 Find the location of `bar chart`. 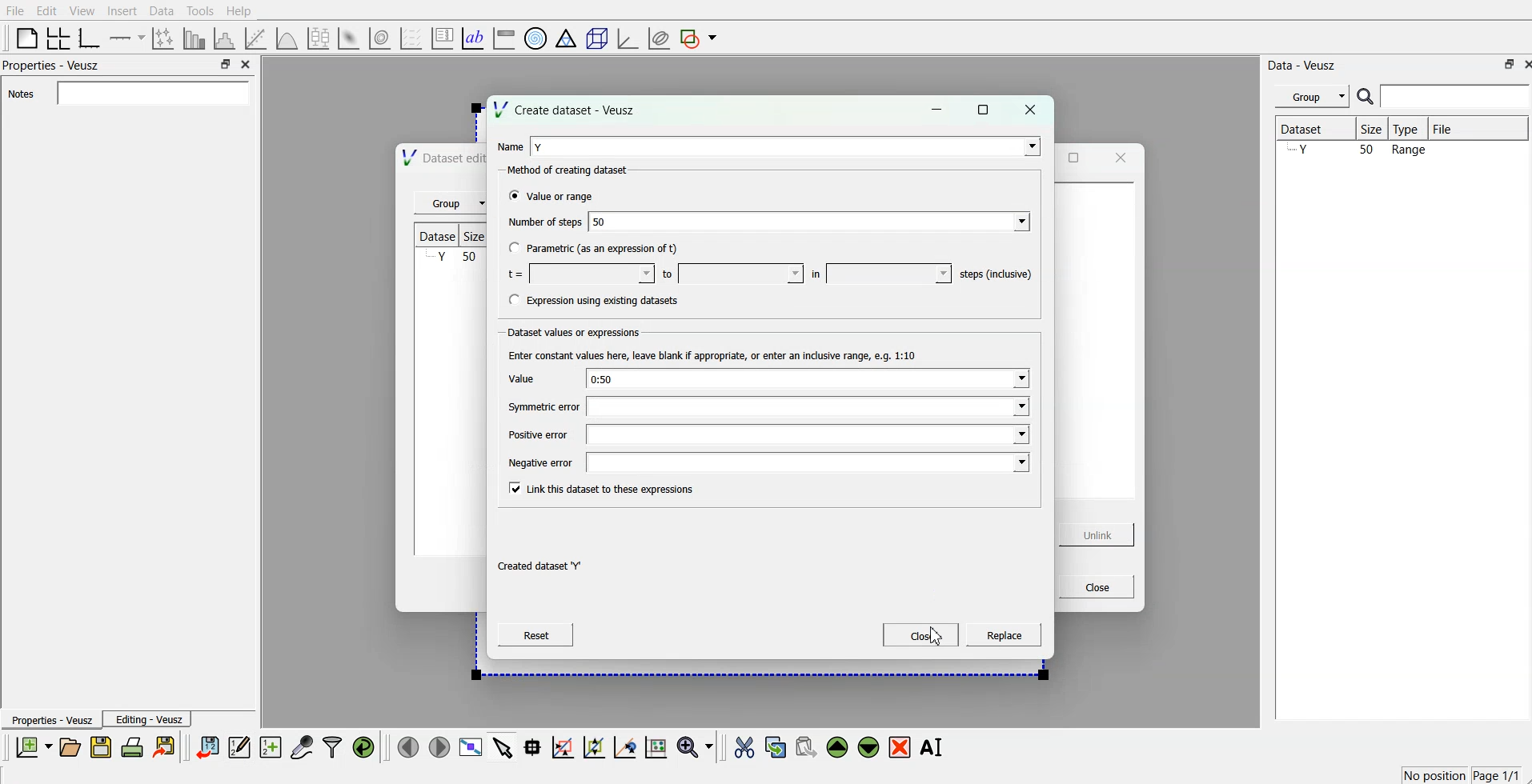

bar chart is located at coordinates (195, 37).